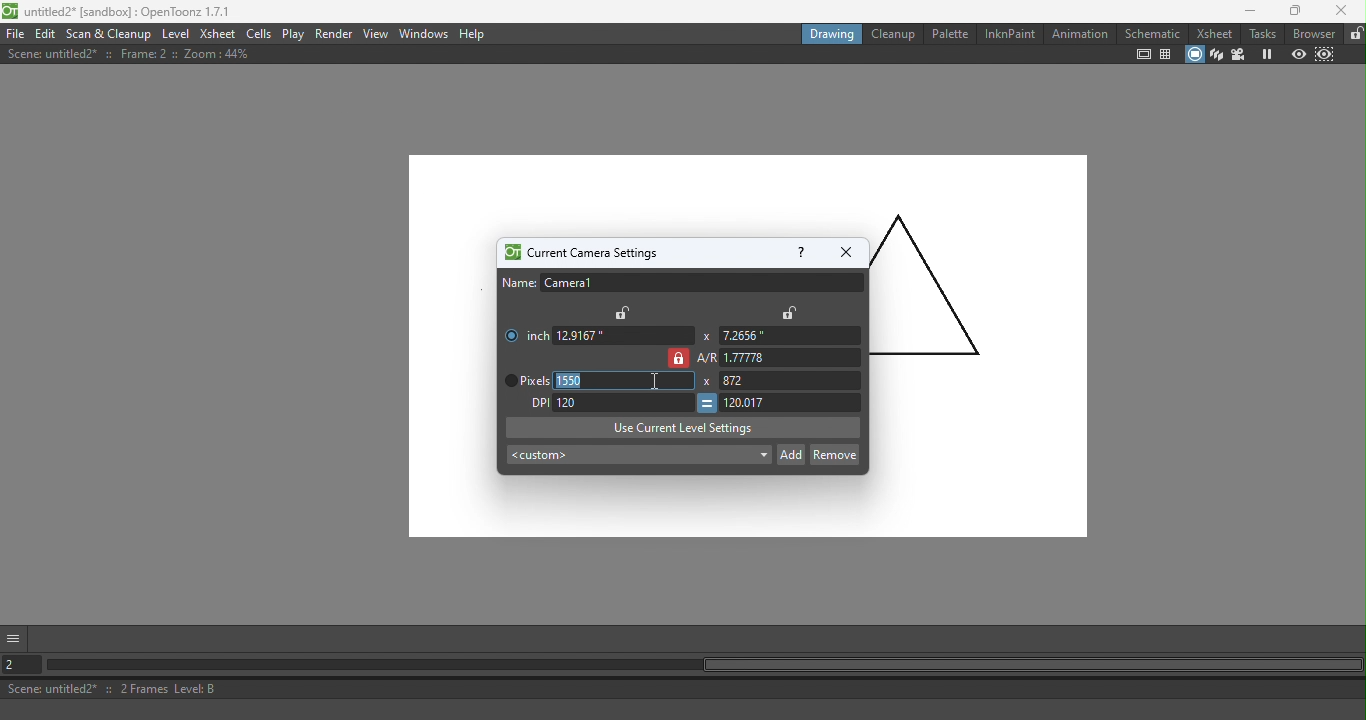  I want to click on Enter pixel, so click(792, 403).